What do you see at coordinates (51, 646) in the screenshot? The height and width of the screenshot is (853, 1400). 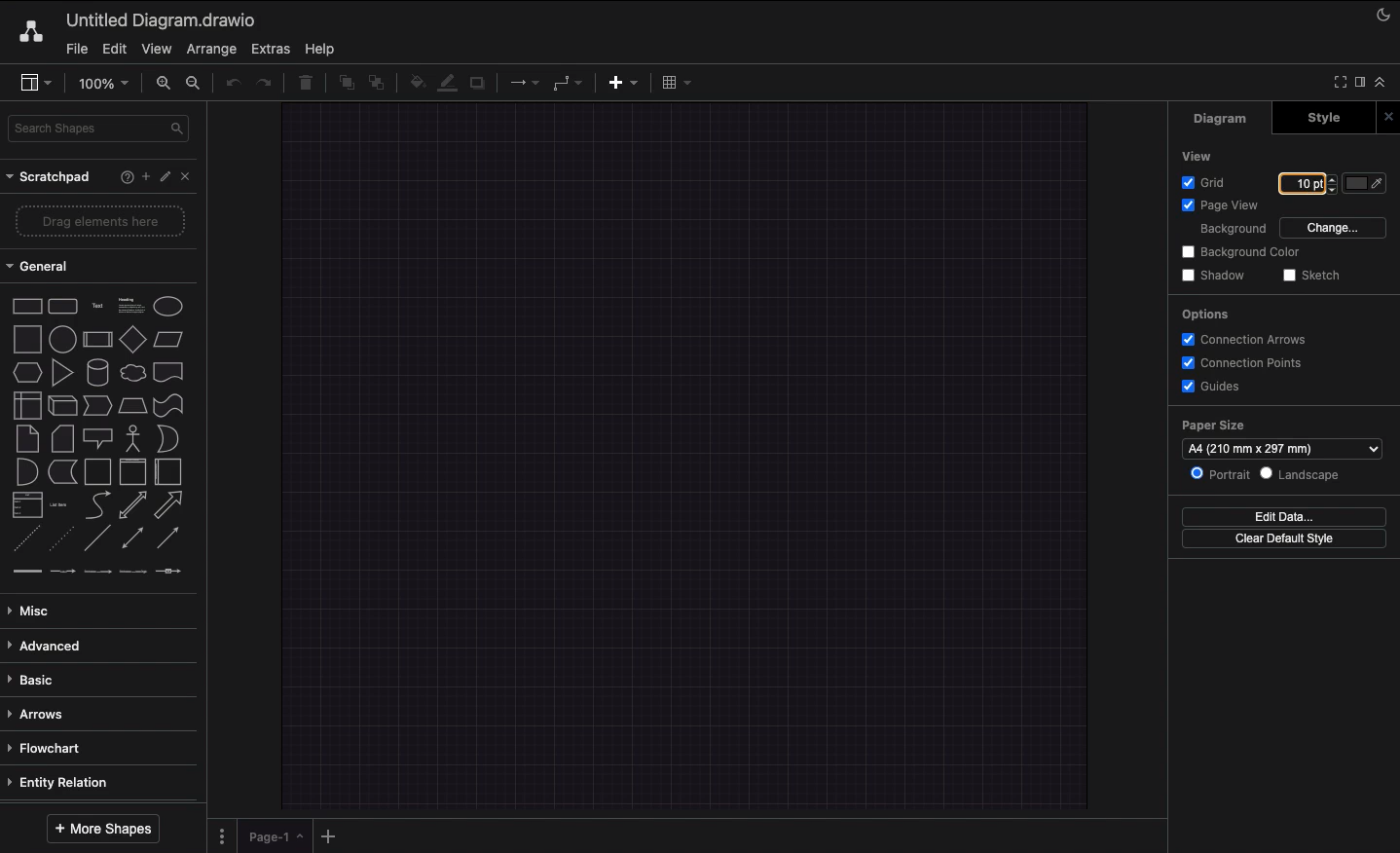 I see `Advanced` at bounding box center [51, 646].